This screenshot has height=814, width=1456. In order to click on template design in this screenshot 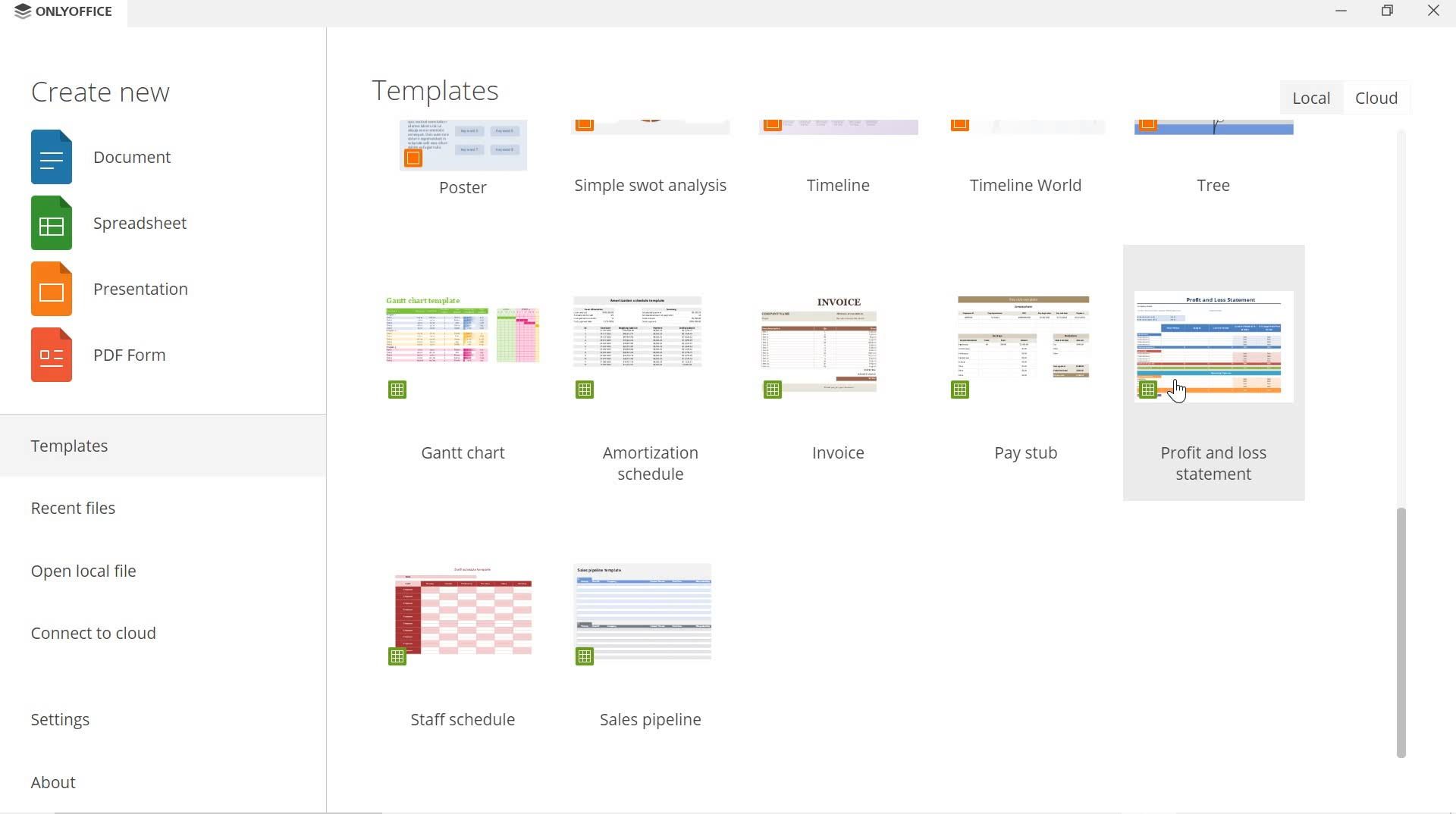, I will do `click(1212, 133)`.